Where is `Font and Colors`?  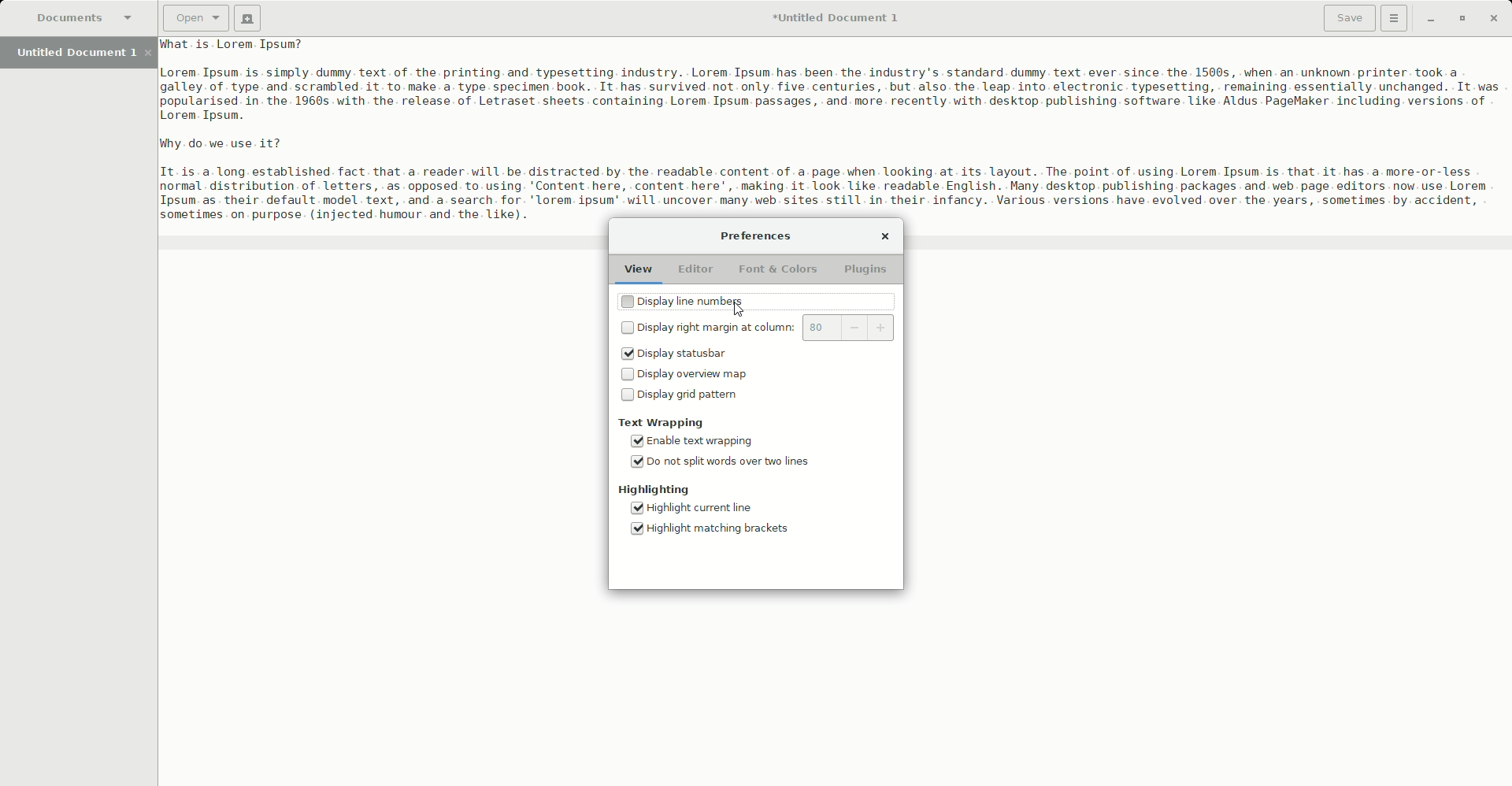 Font and Colors is located at coordinates (778, 270).